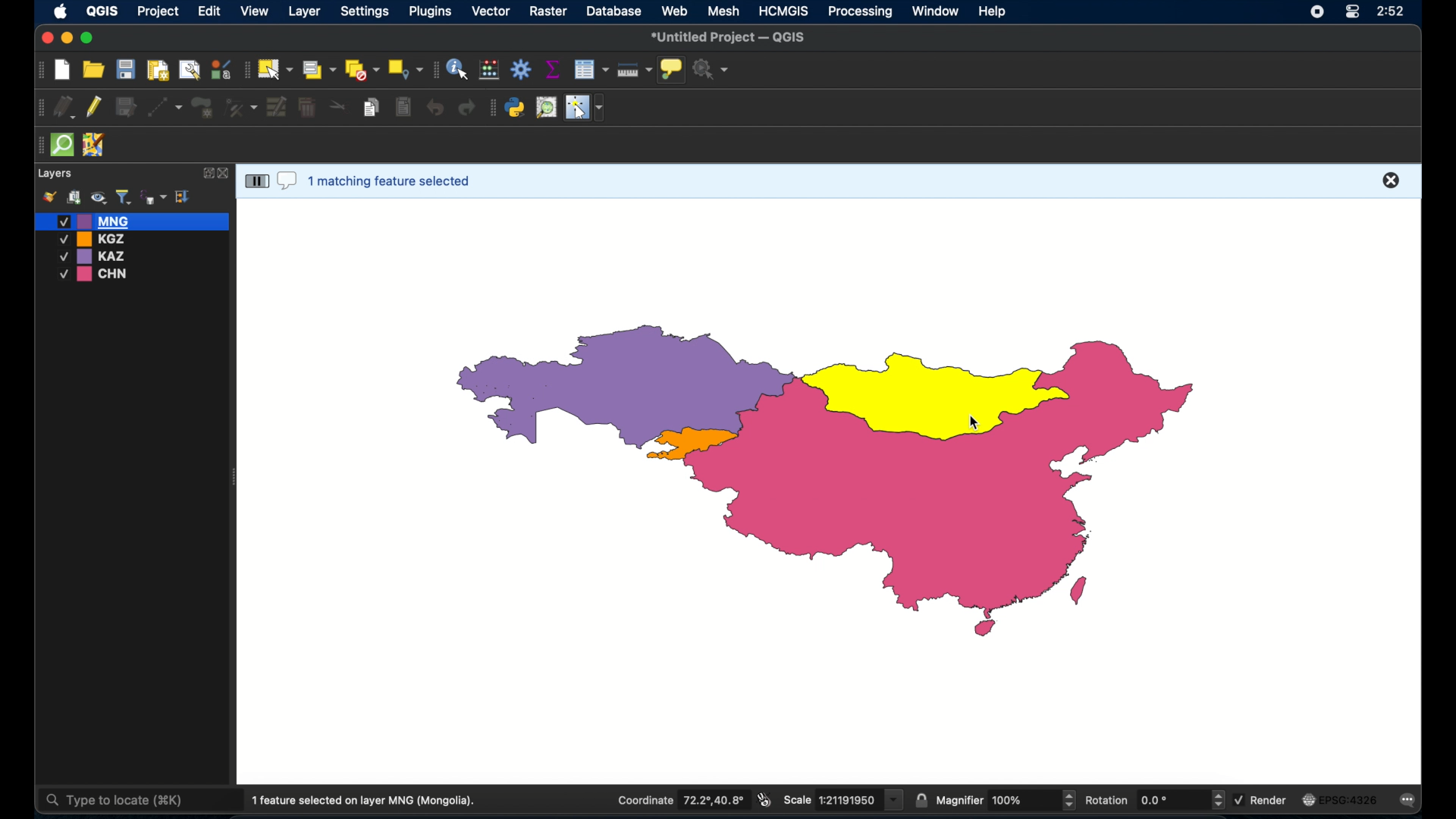 This screenshot has height=819, width=1456. I want to click on apple icon, so click(61, 13).